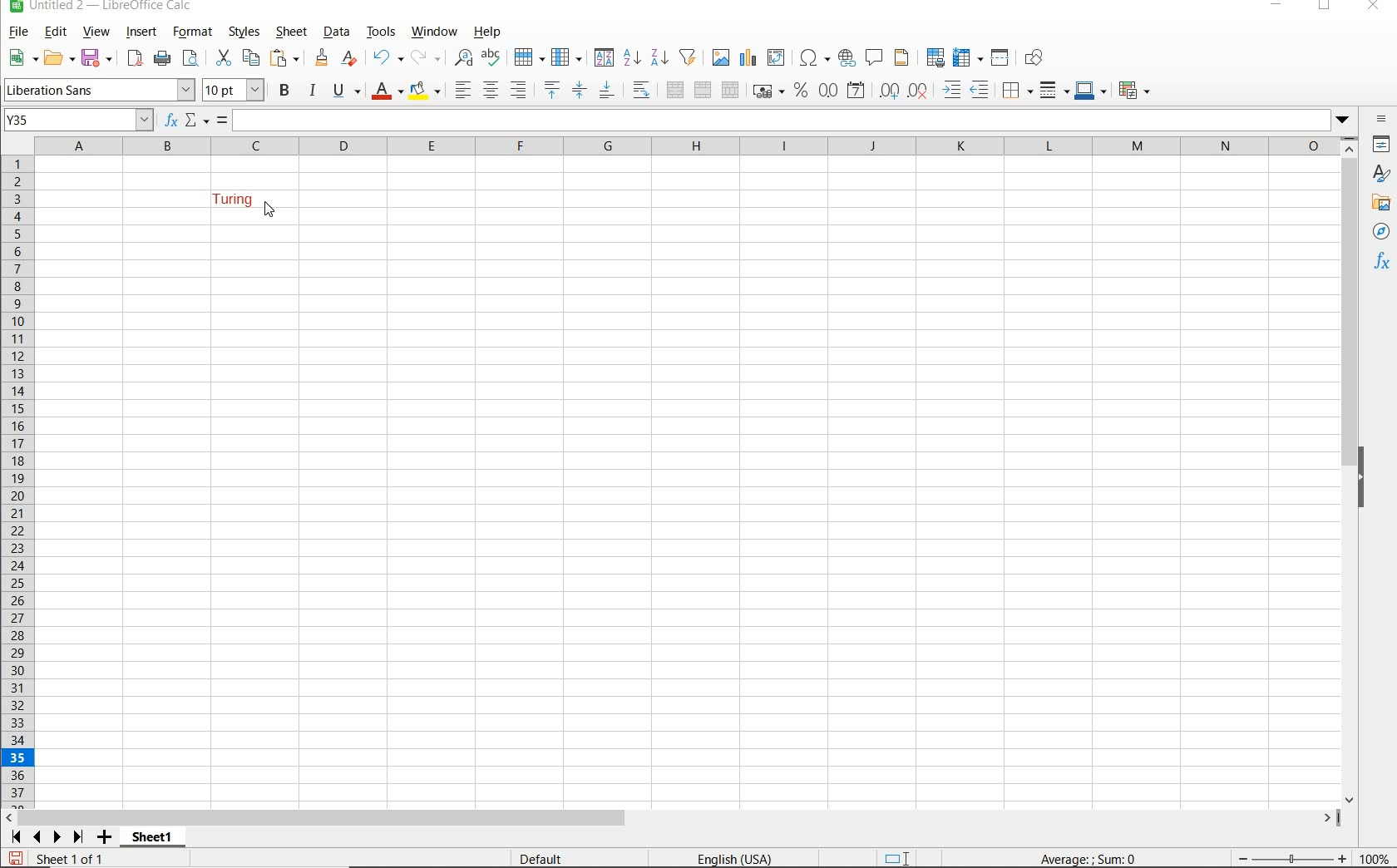 This screenshot has width=1397, height=868. I want to click on BOLD, so click(287, 91).